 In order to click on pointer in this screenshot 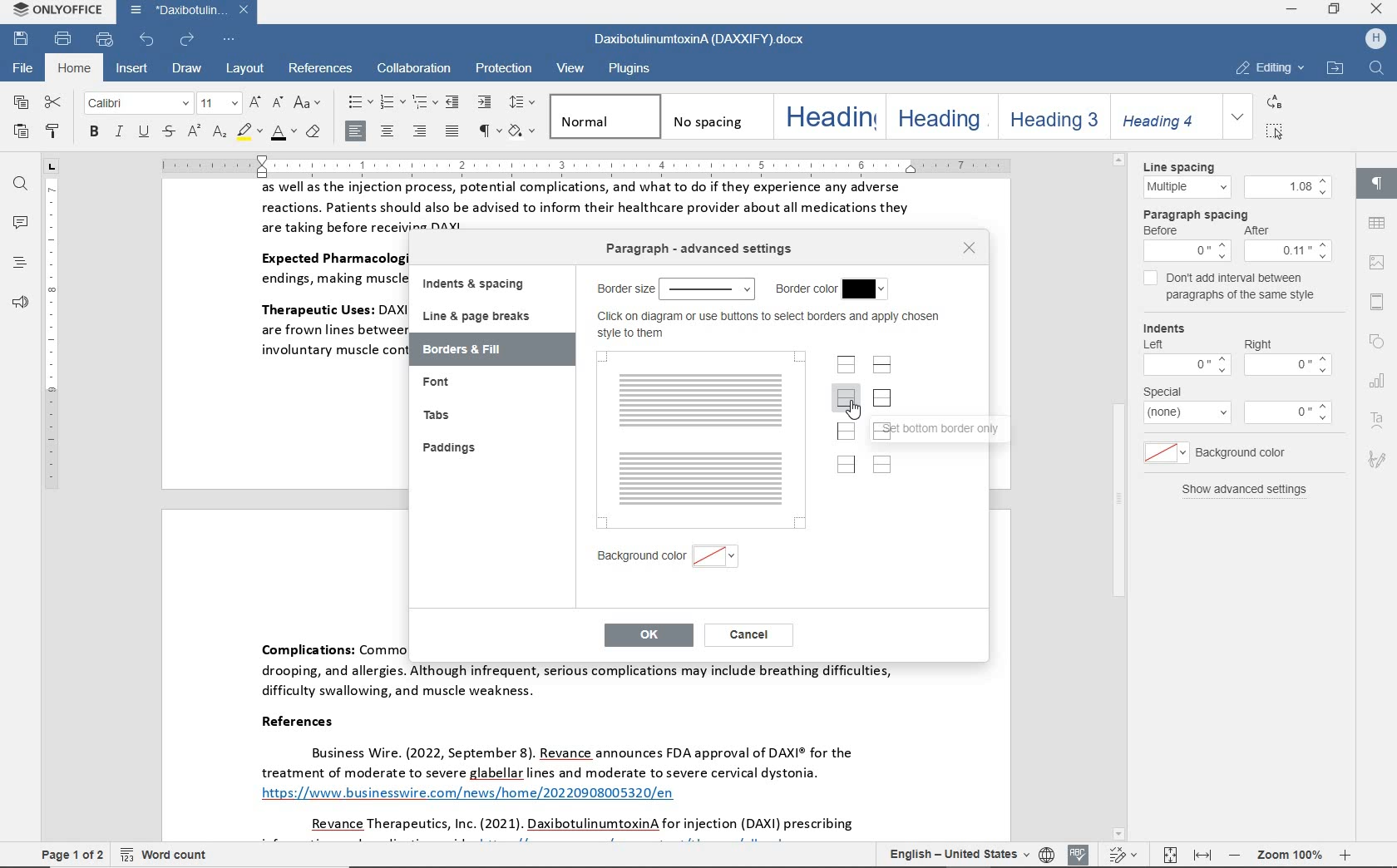, I will do `click(855, 408)`.